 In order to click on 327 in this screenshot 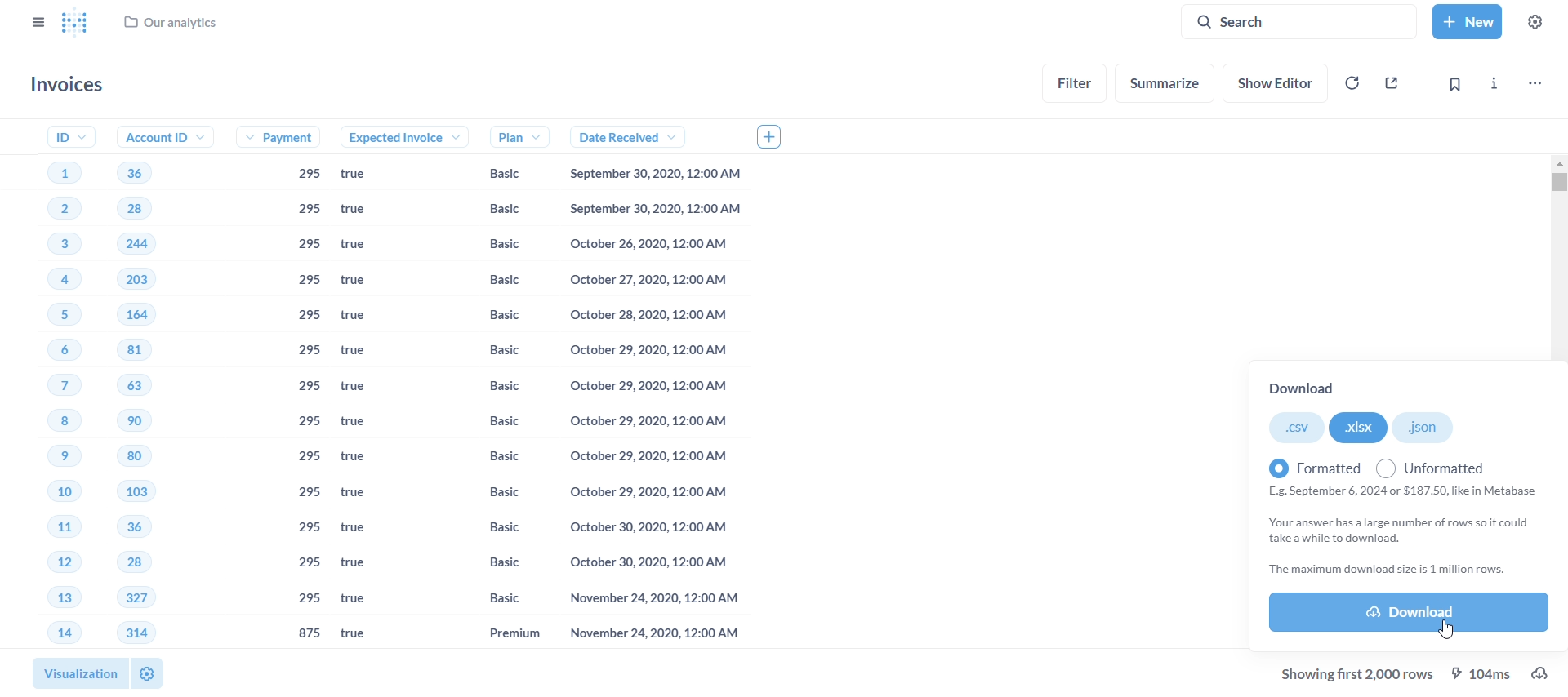, I will do `click(136, 597)`.